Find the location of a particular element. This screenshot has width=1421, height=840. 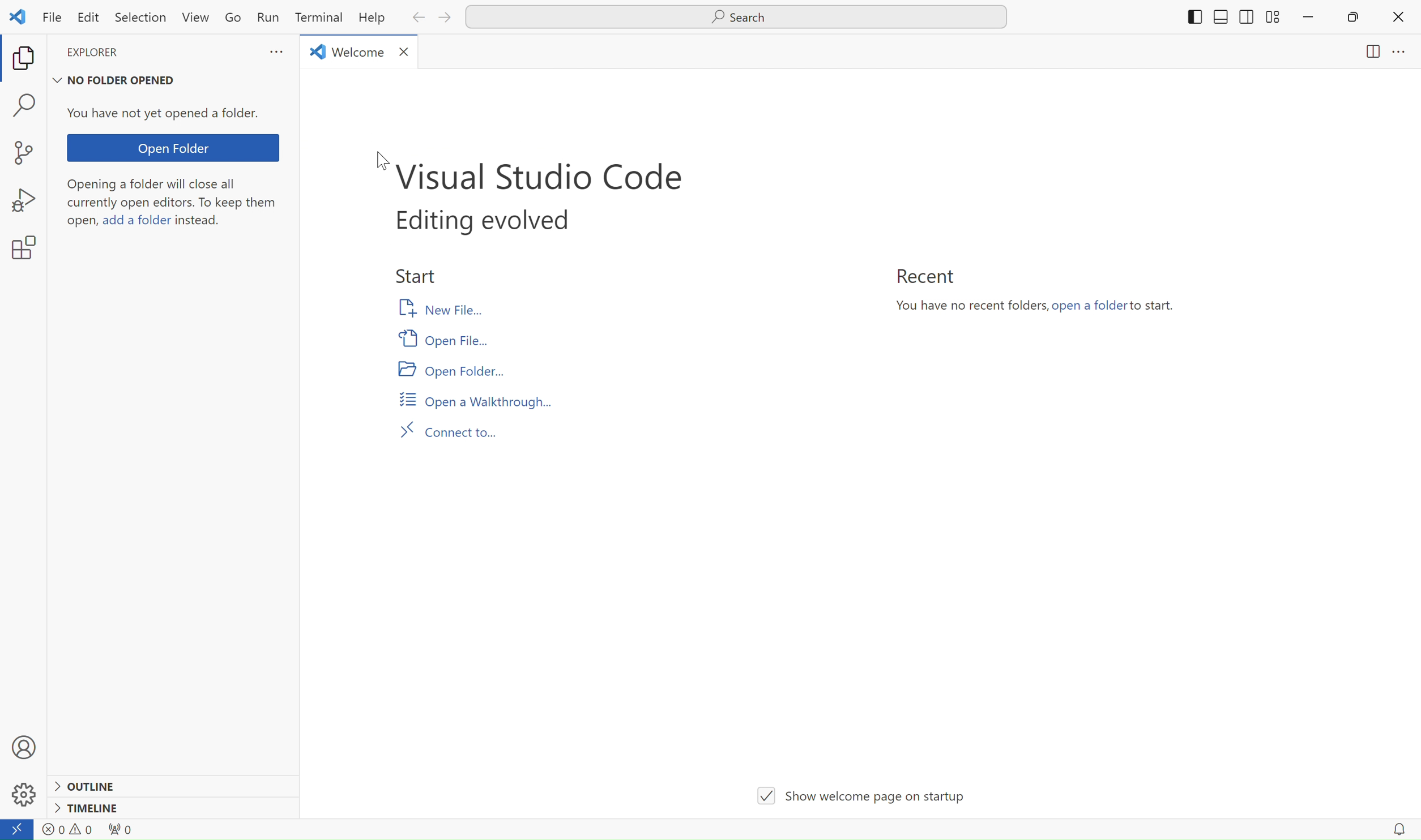

You have no recent folders,open a folder to start is located at coordinates (1036, 311).